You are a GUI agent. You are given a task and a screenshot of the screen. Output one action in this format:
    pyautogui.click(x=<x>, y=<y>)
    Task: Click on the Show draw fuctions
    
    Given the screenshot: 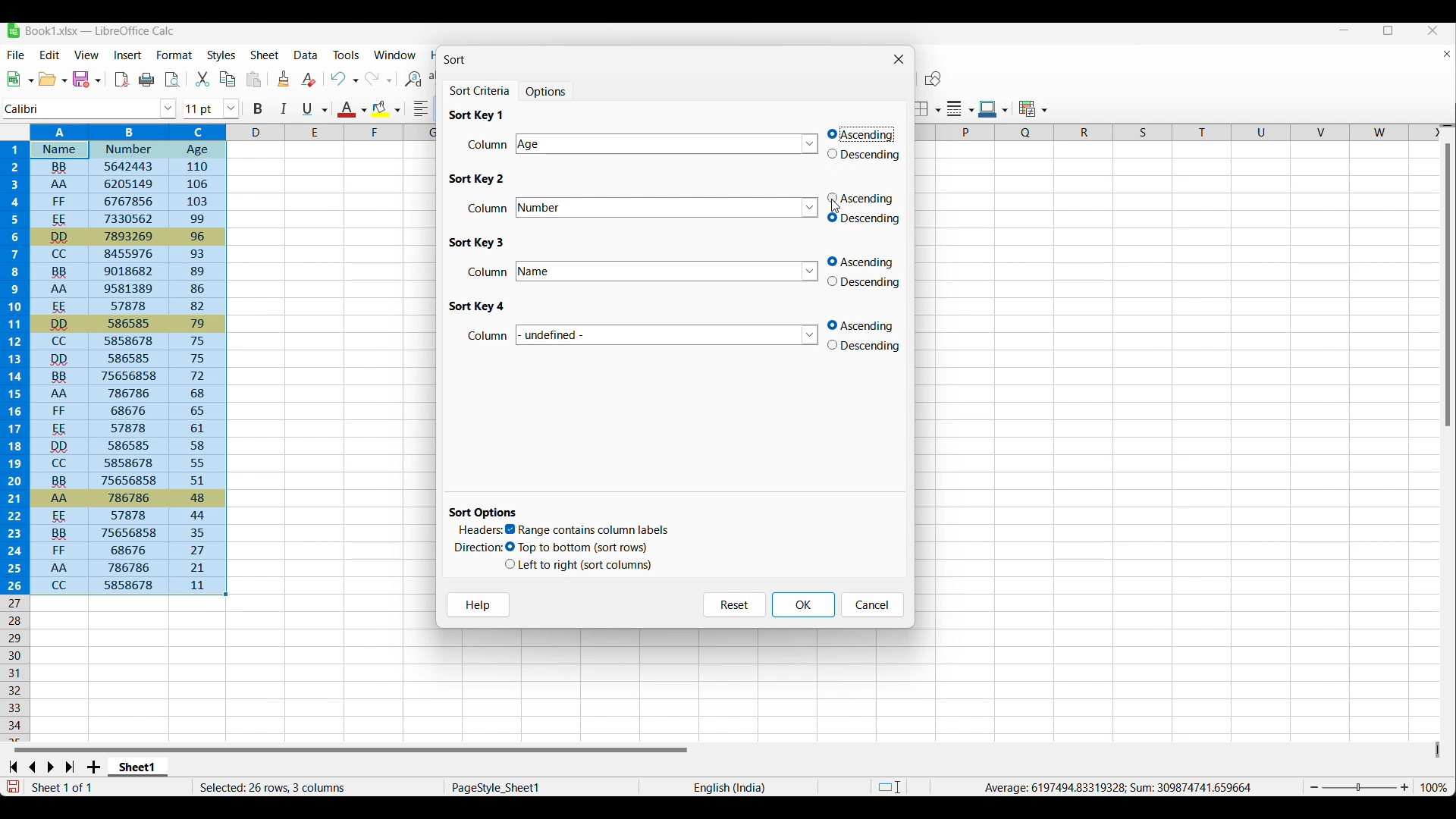 What is the action you would take?
    pyautogui.click(x=934, y=78)
    